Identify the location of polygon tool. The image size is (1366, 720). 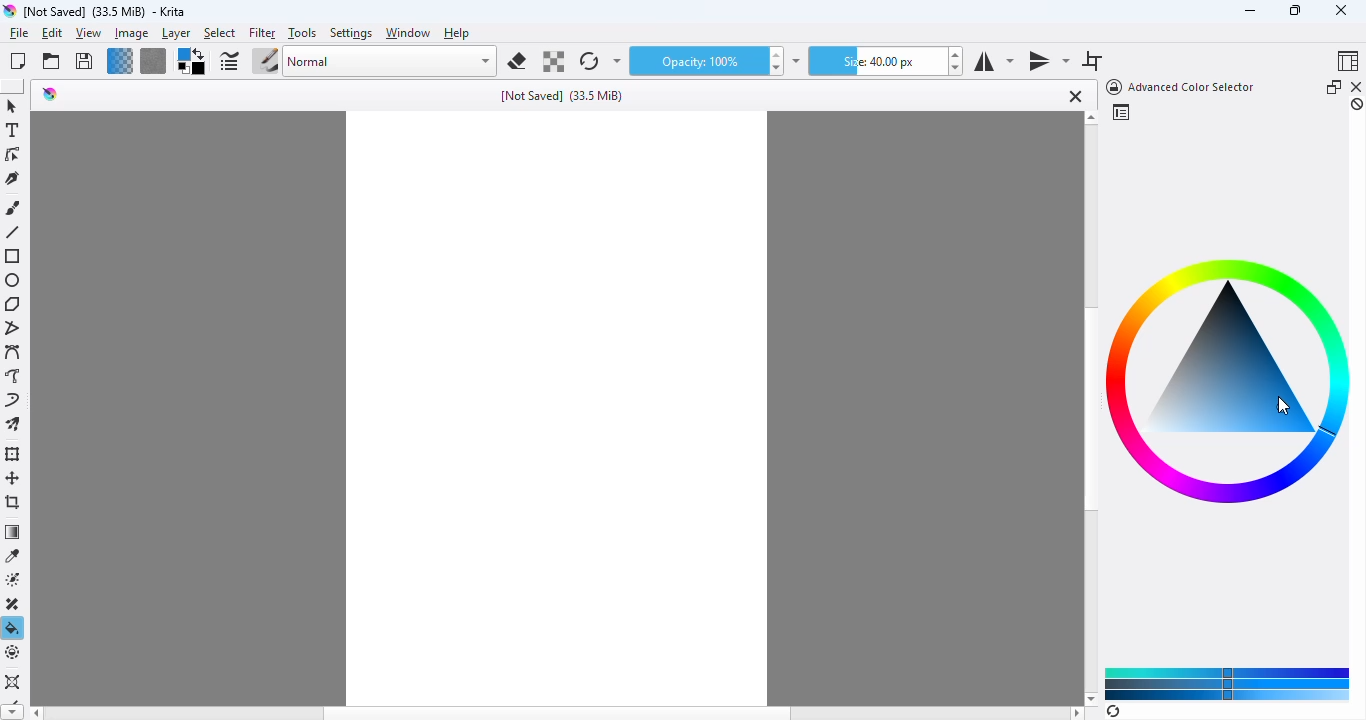
(12, 304).